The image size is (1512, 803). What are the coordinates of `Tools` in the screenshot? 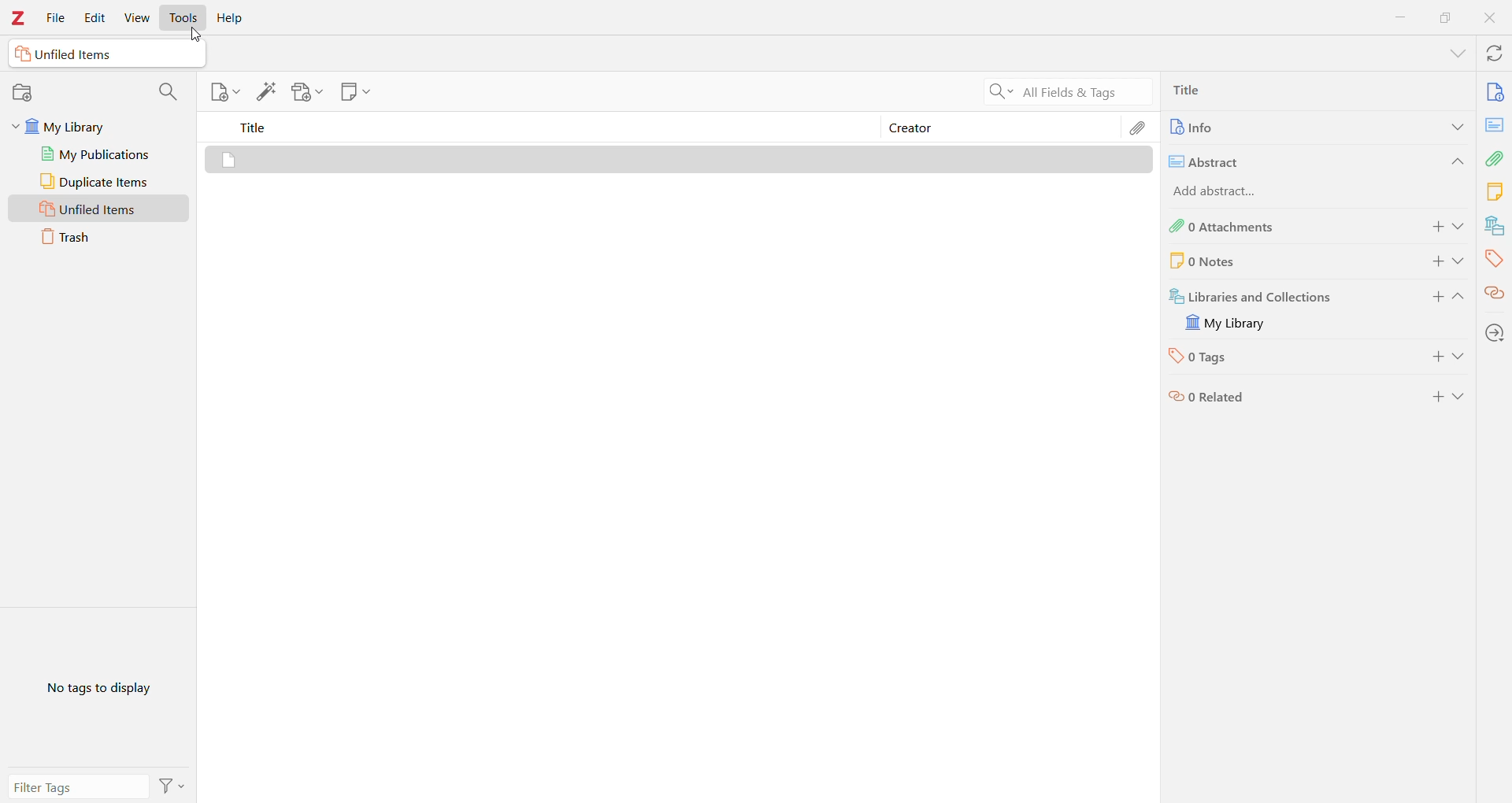 It's located at (183, 18).